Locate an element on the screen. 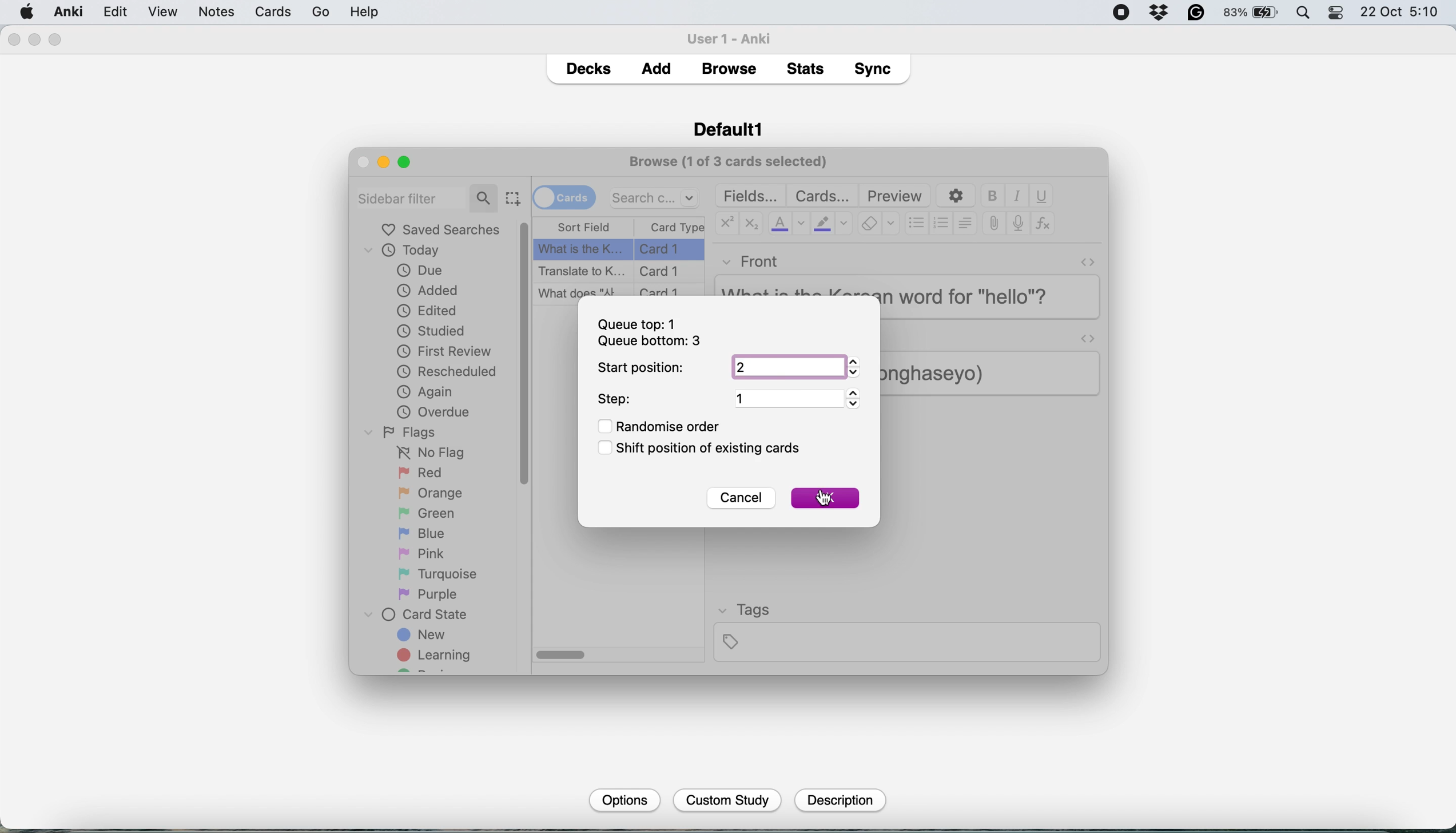 Image resolution: width=1456 pixels, height=833 pixels. grammarly is located at coordinates (1197, 13).